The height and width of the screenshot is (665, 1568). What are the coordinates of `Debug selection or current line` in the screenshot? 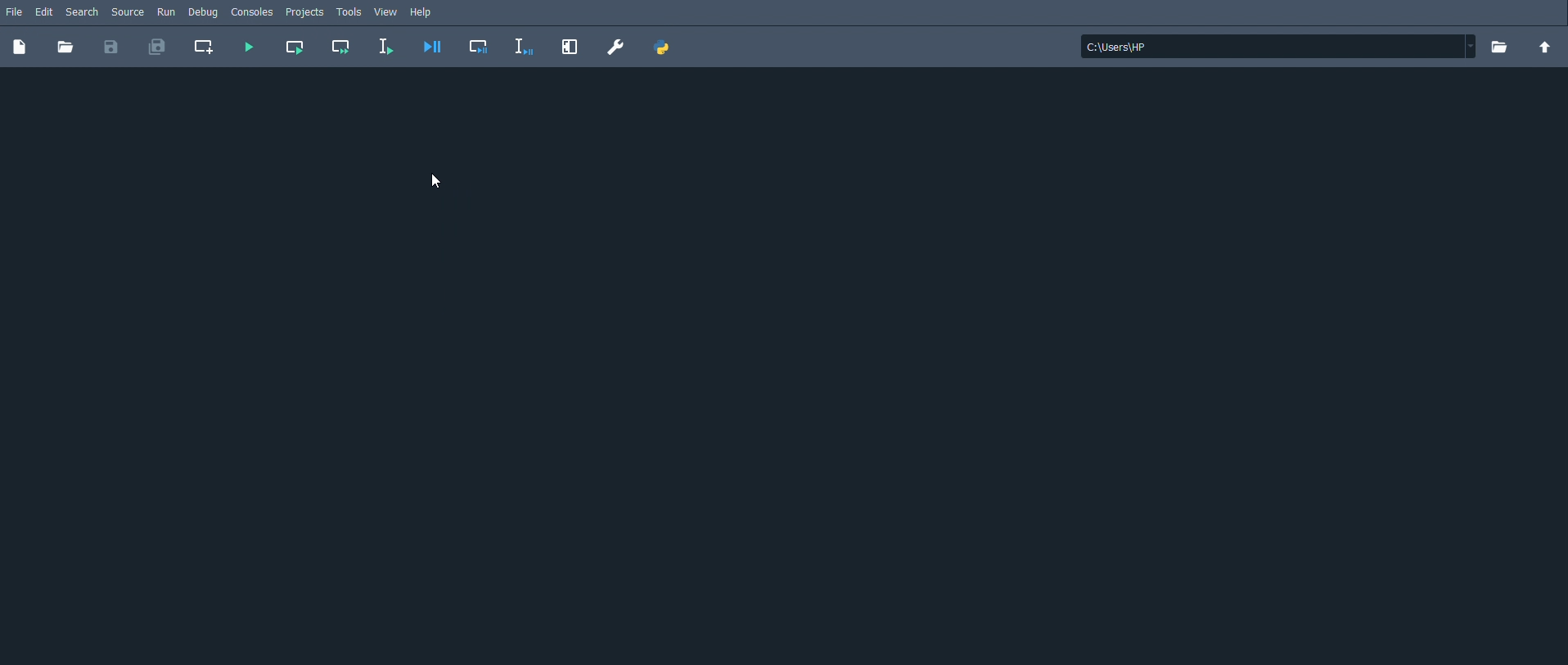 It's located at (526, 48).